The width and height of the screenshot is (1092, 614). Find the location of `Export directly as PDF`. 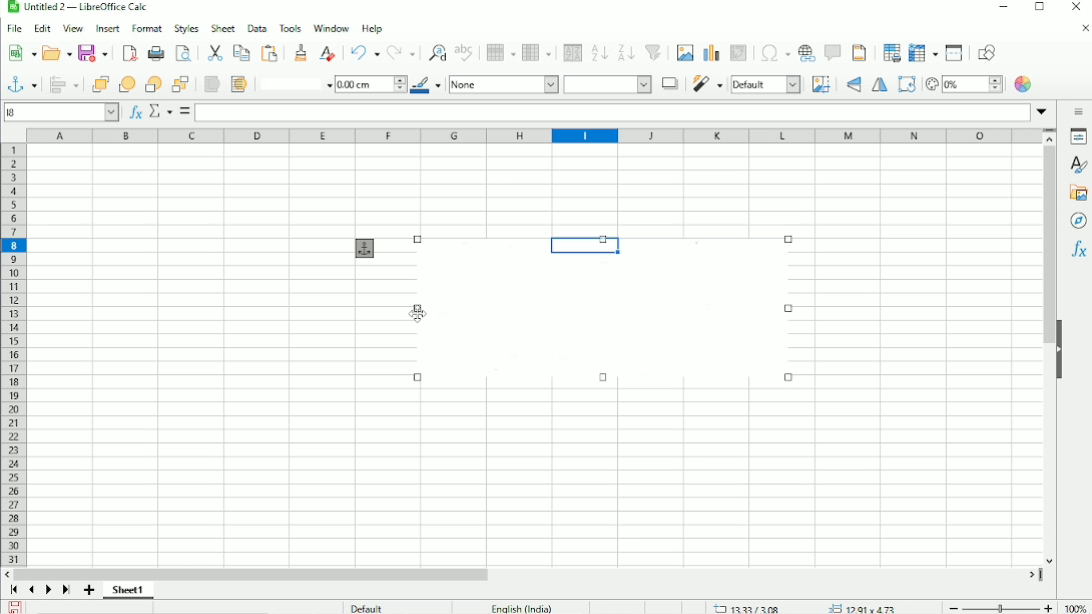

Export directly as PDF is located at coordinates (128, 54).